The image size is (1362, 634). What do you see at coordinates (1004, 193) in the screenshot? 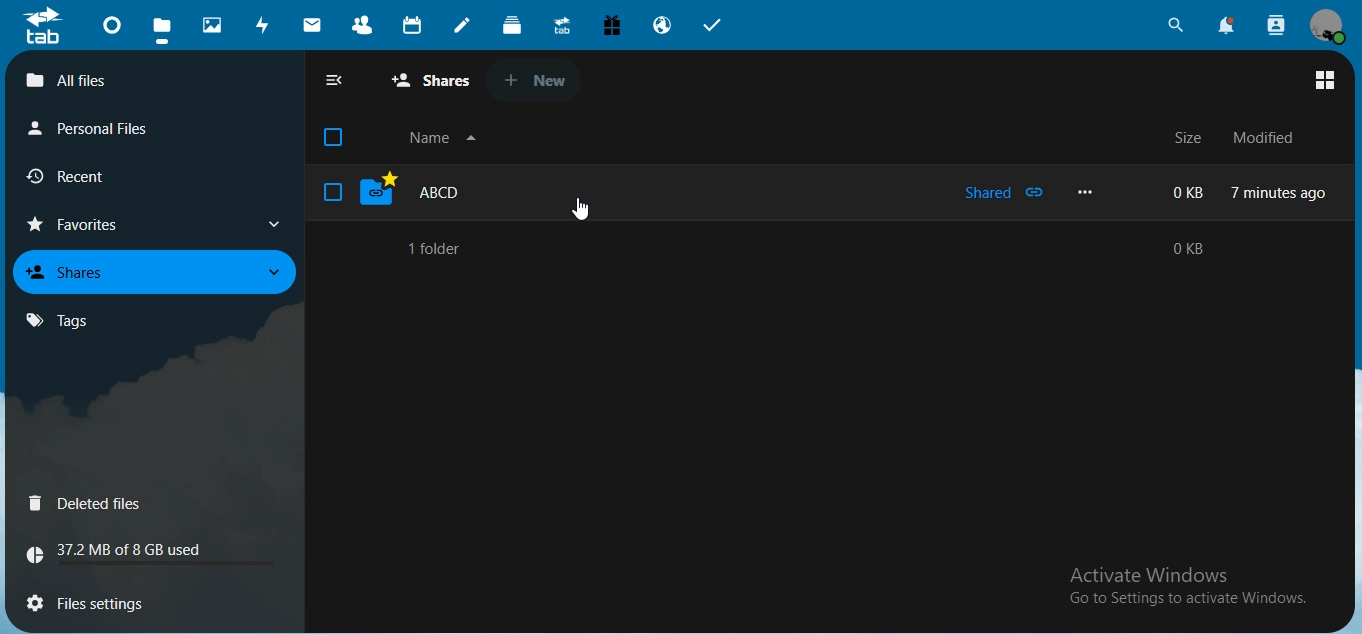
I see `shared` at bounding box center [1004, 193].